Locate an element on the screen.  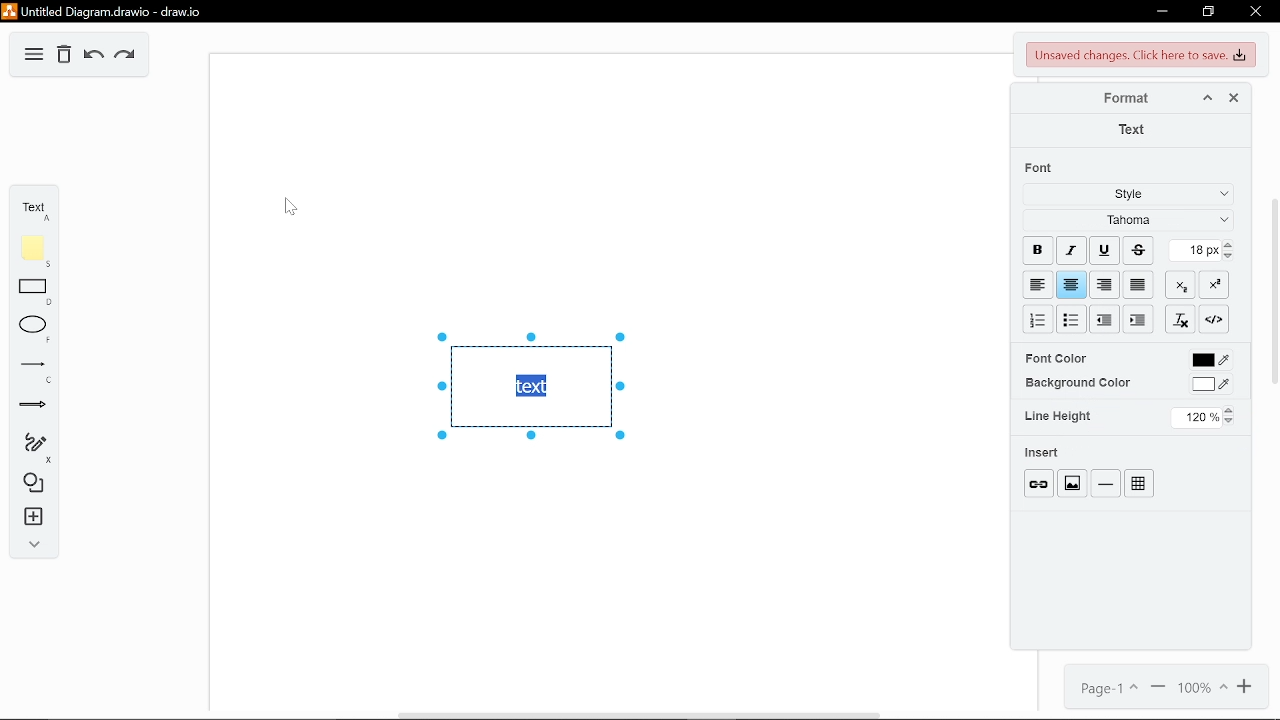
collapse is located at coordinates (30, 545).